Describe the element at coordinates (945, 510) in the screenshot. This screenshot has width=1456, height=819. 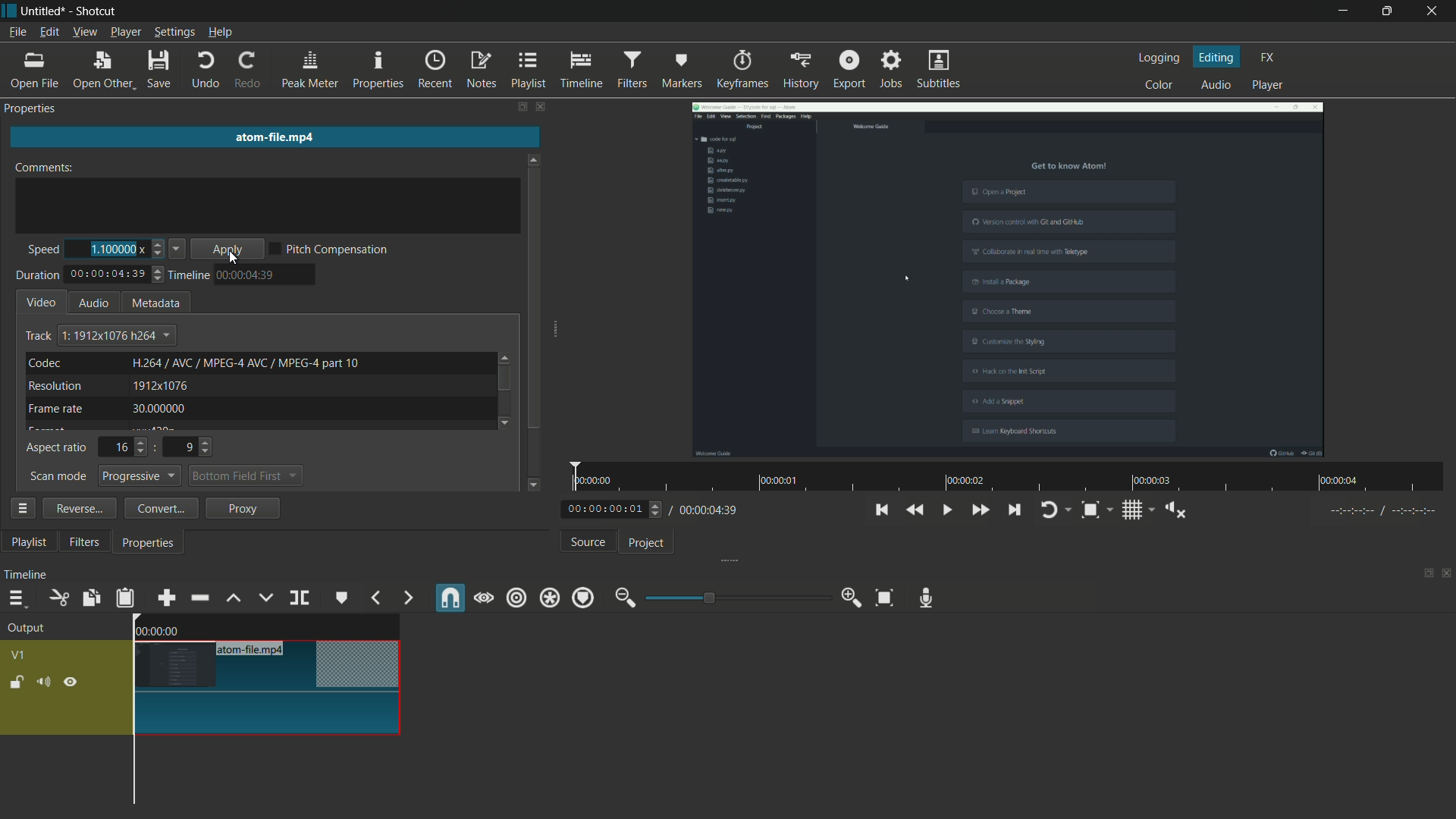
I see `toggle play or pause` at that location.